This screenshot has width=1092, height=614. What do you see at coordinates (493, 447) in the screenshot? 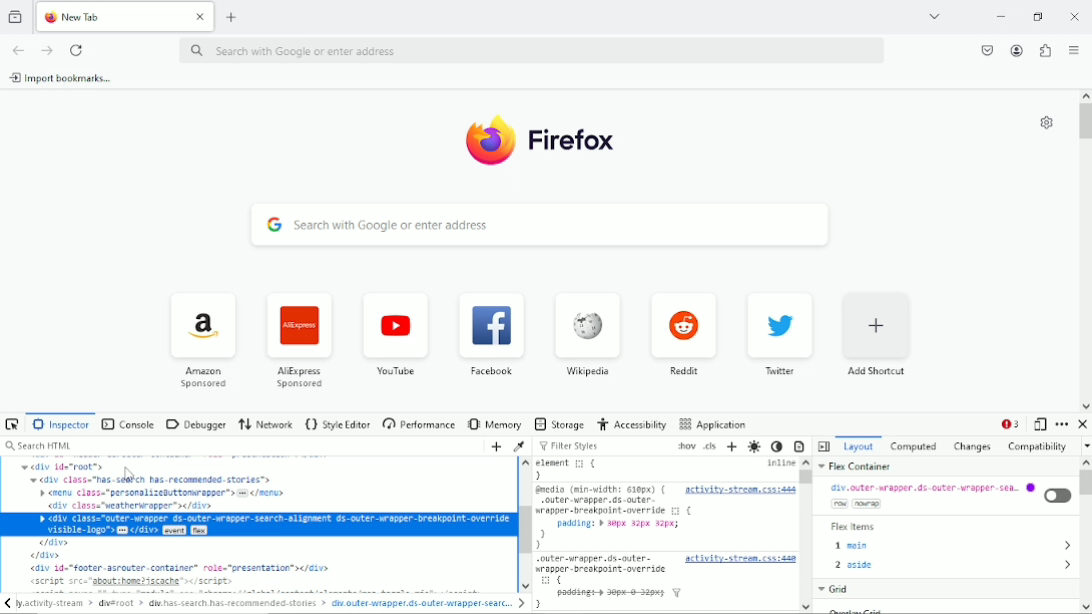
I see `Add node` at bounding box center [493, 447].